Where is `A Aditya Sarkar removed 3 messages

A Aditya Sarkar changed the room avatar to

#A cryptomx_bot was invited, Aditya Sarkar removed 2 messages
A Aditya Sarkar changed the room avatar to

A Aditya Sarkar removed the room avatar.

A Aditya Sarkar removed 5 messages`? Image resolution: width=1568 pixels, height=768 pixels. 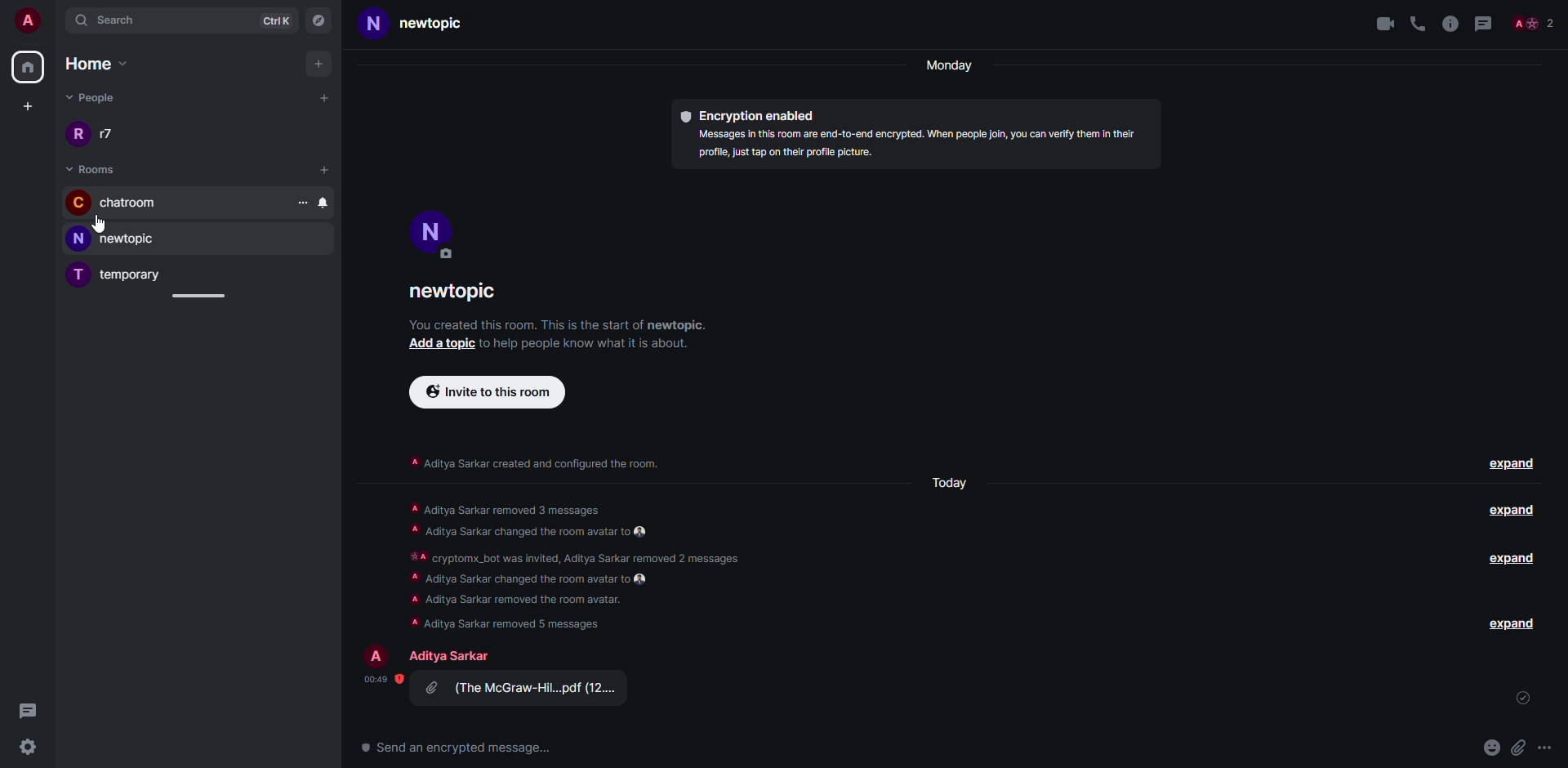 A Aditya Sarkar removed 3 messages

A Aditya Sarkar changed the room avatar to

#A cryptomx_bot was invited, Aditya Sarkar removed 2 messages
A Aditya Sarkar changed the room avatar to

A Aditya Sarkar removed the room avatar.

A Aditya Sarkar removed 5 messages is located at coordinates (586, 563).